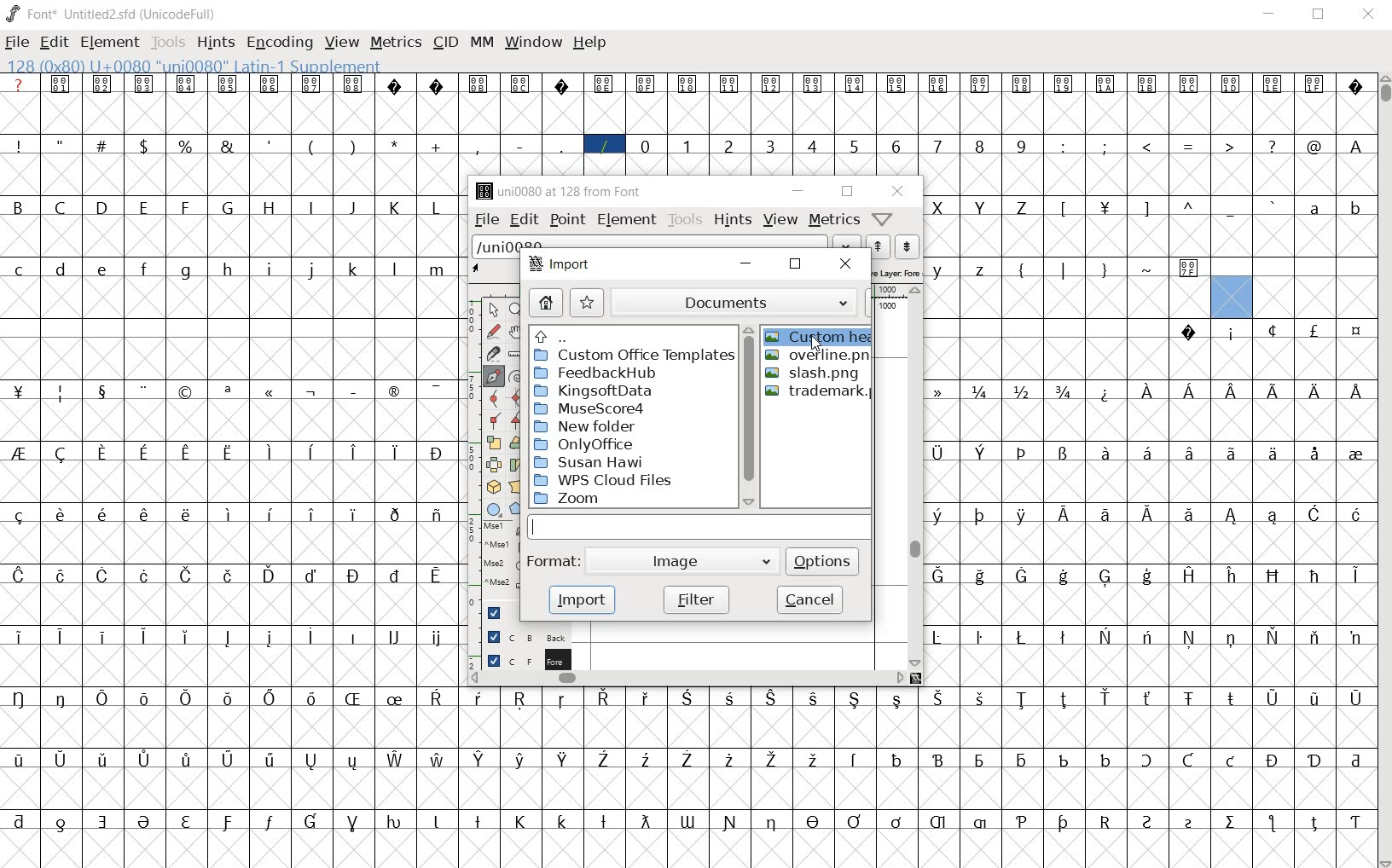  Describe the element at coordinates (687, 146) in the screenshot. I see `glyph` at that location.